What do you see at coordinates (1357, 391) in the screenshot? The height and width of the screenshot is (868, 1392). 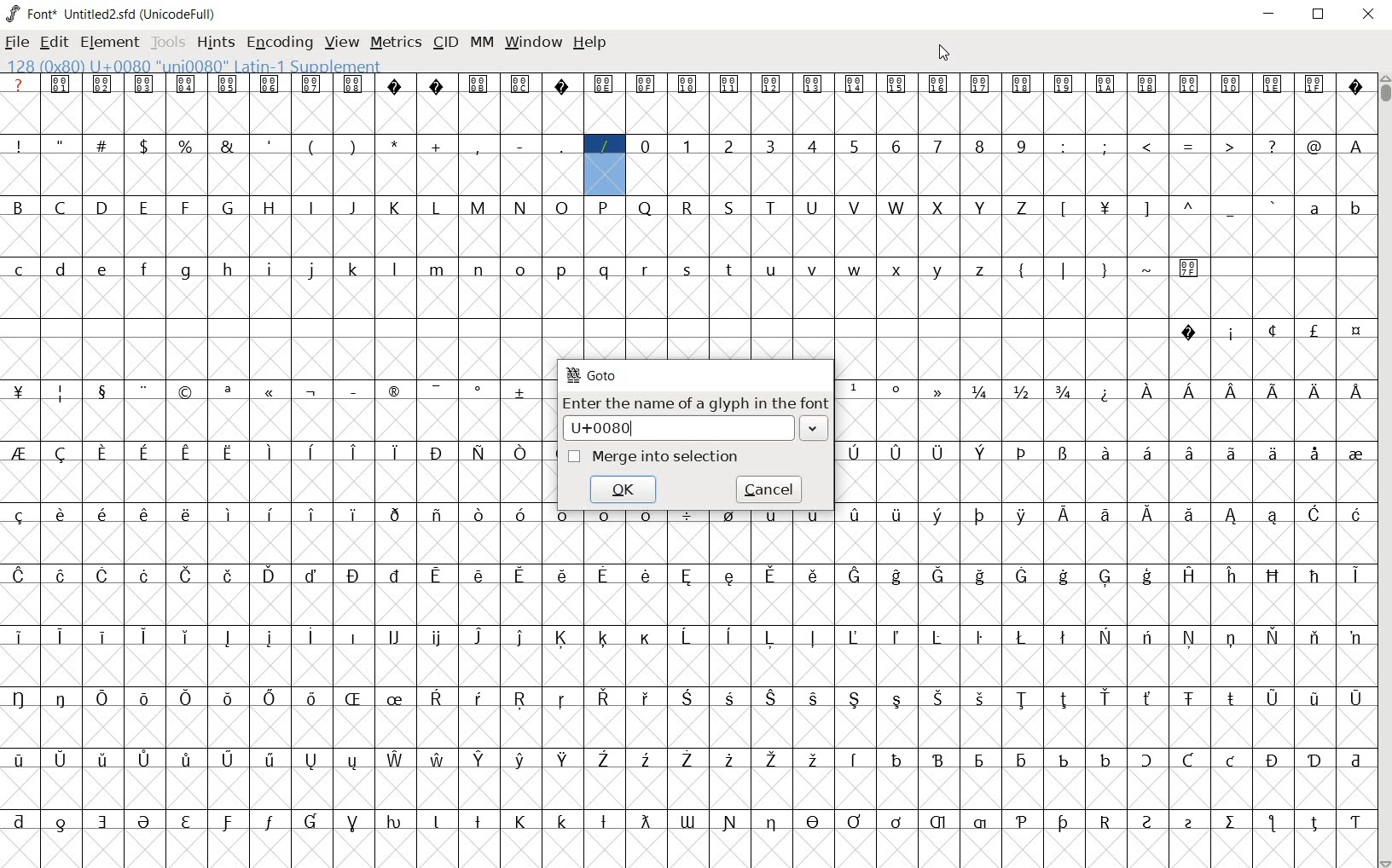 I see `glyph` at bounding box center [1357, 391].